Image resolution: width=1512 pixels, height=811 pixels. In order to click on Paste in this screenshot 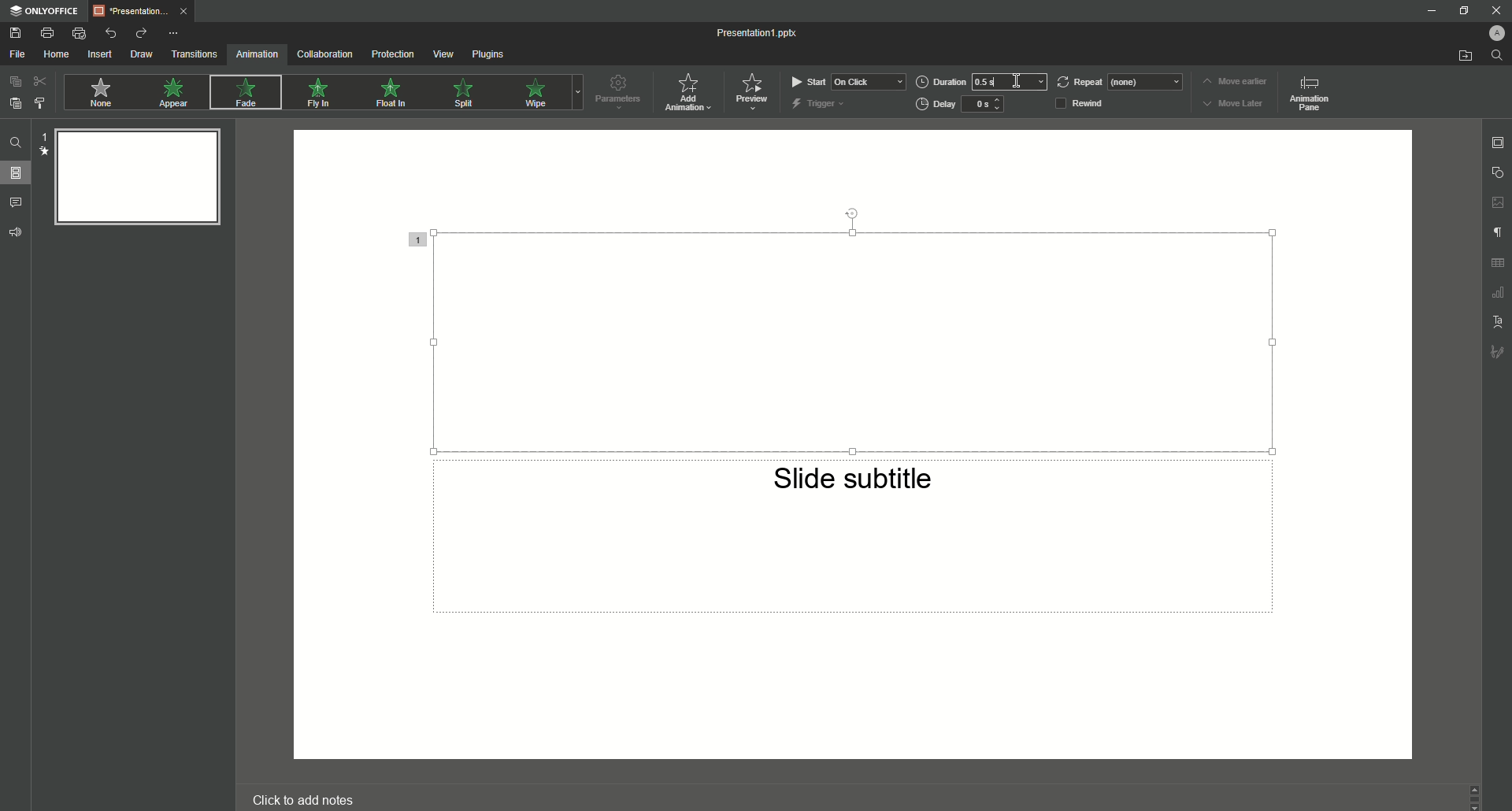, I will do `click(15, 102)`.